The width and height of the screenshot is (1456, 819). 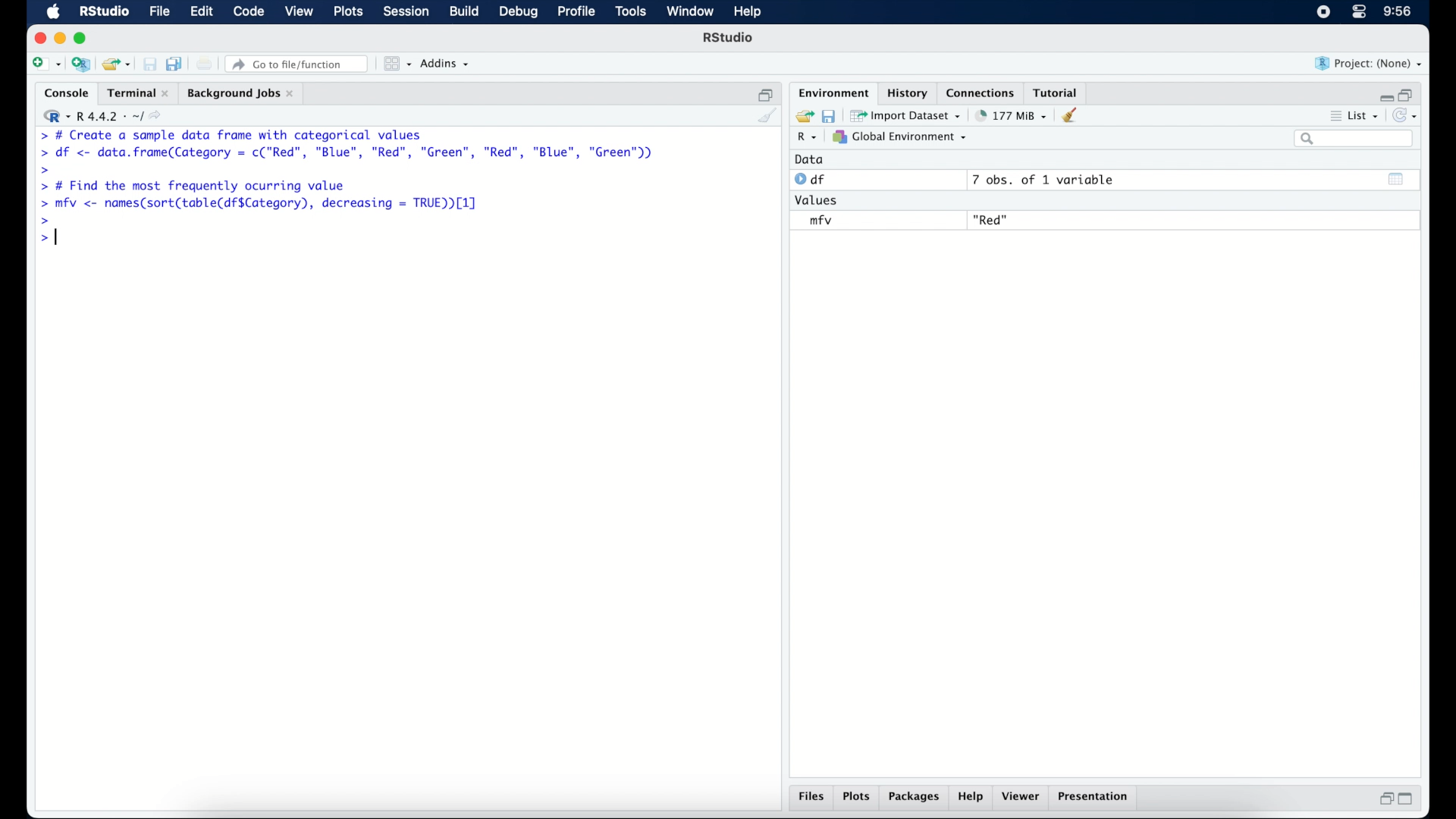 I want to click on clear console, so click(x=768, y=116).